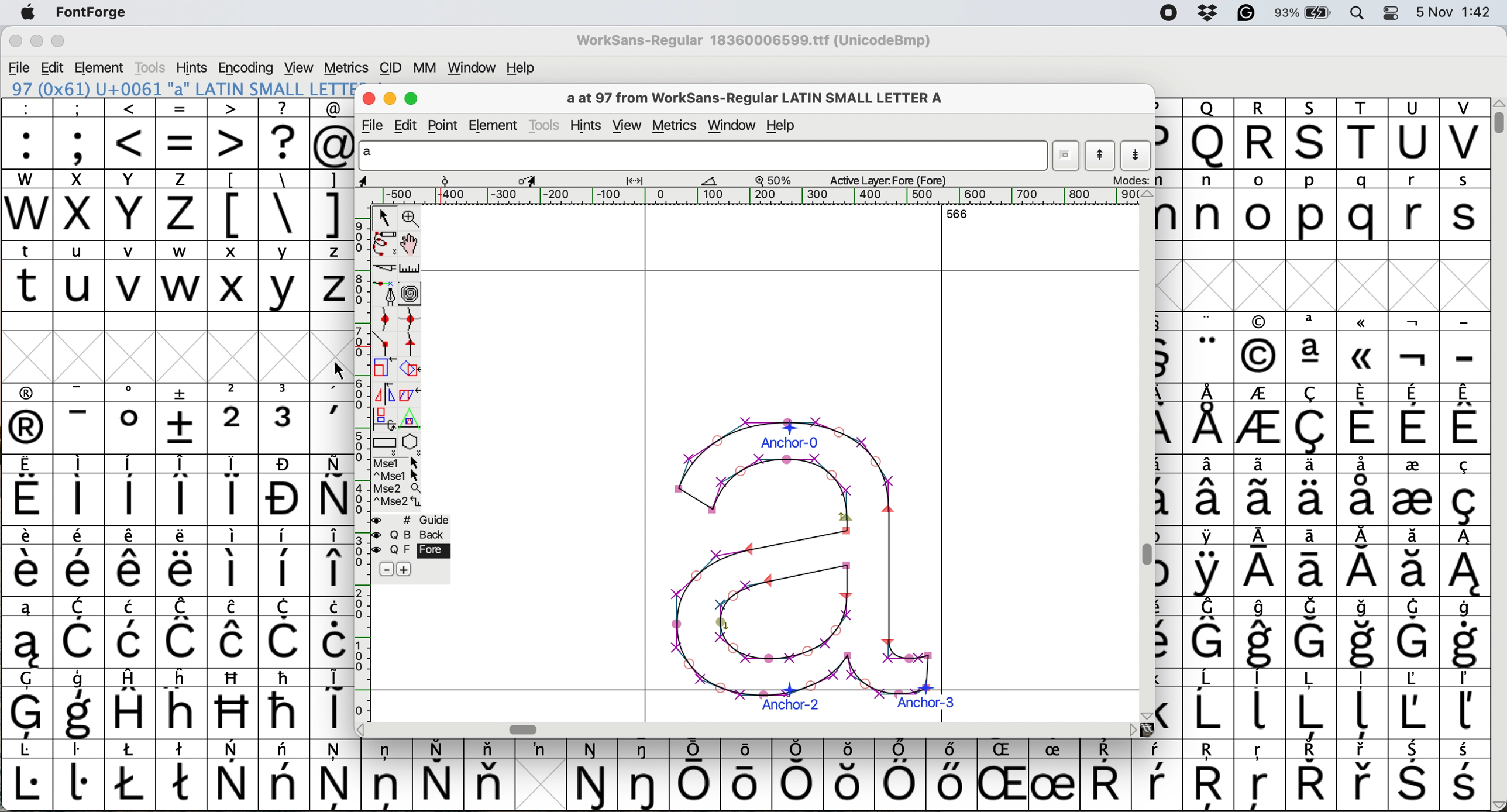 This screenshot has height=812, width=1507. What do you see at coordinates (1364, 12) in the screenshot?
I see `spotlight search` at bounding box center [1364, 12].